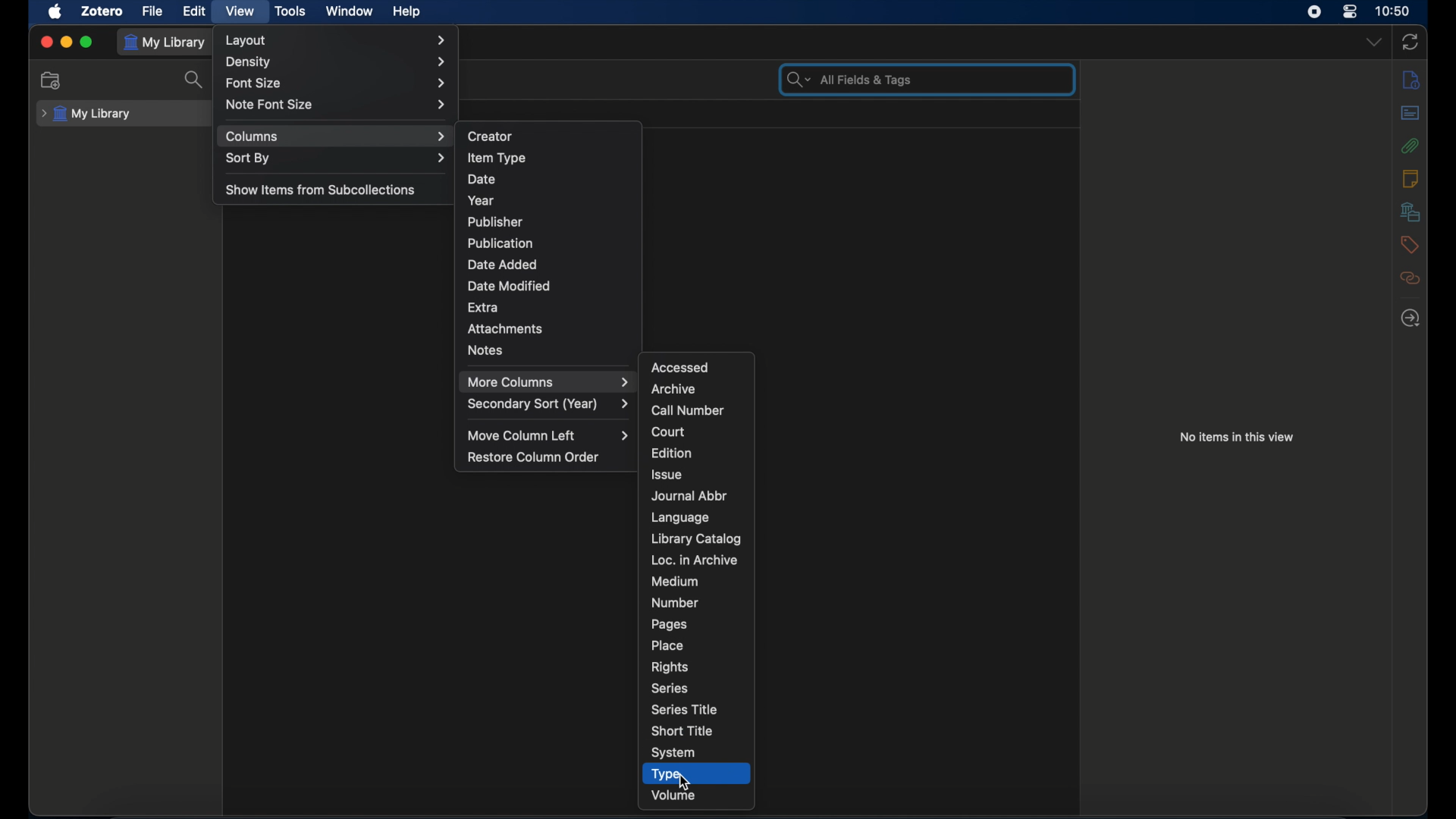 The width and height of the screenshot is (1456, 819). Describe the element at coordinates (483, 200) in the screenshot. I see `year` at that location.